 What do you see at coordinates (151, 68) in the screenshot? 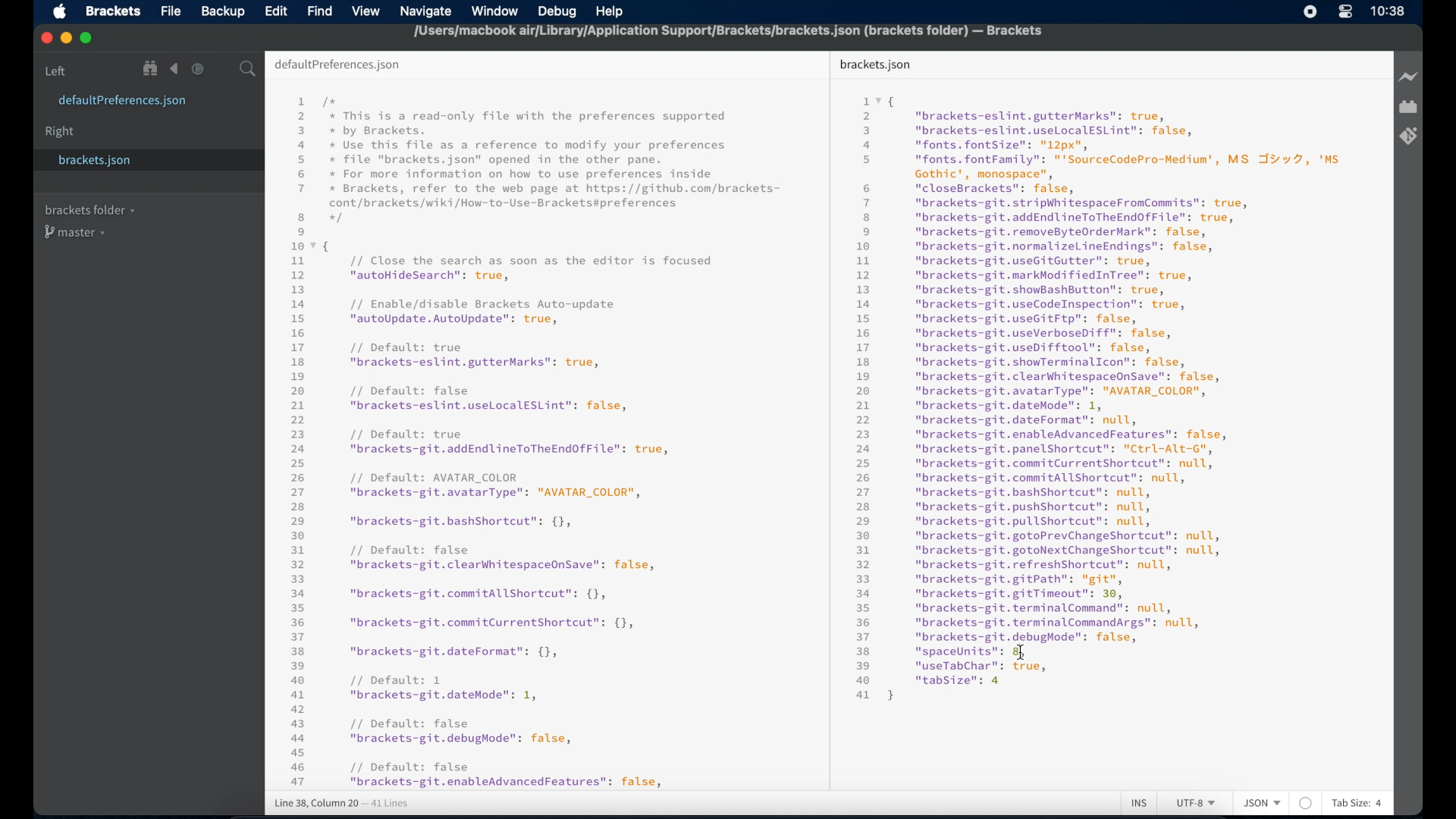
I see `show file in  tree` at bounding box center [151, 68].